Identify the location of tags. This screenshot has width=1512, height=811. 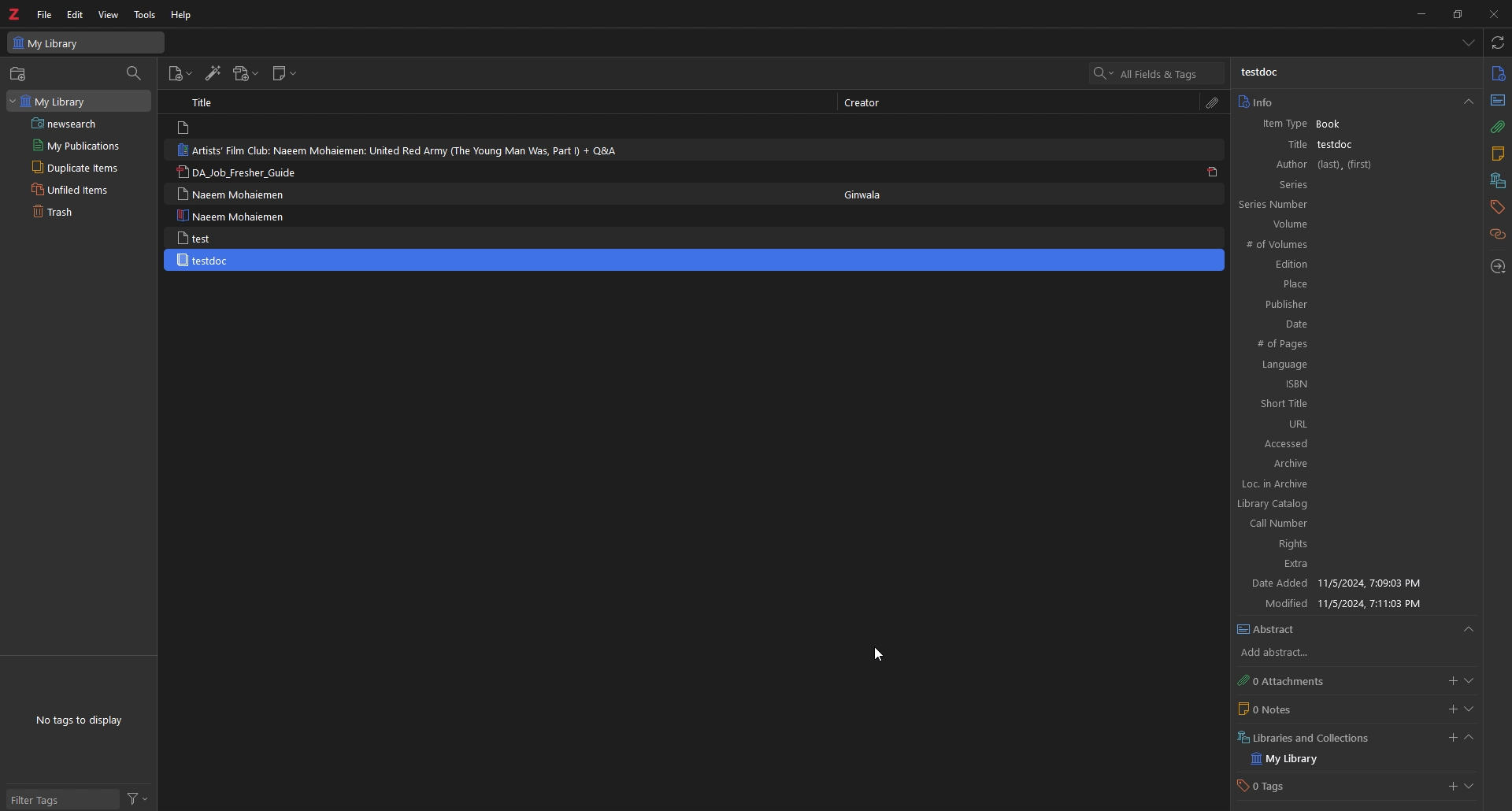
(1496, 207).